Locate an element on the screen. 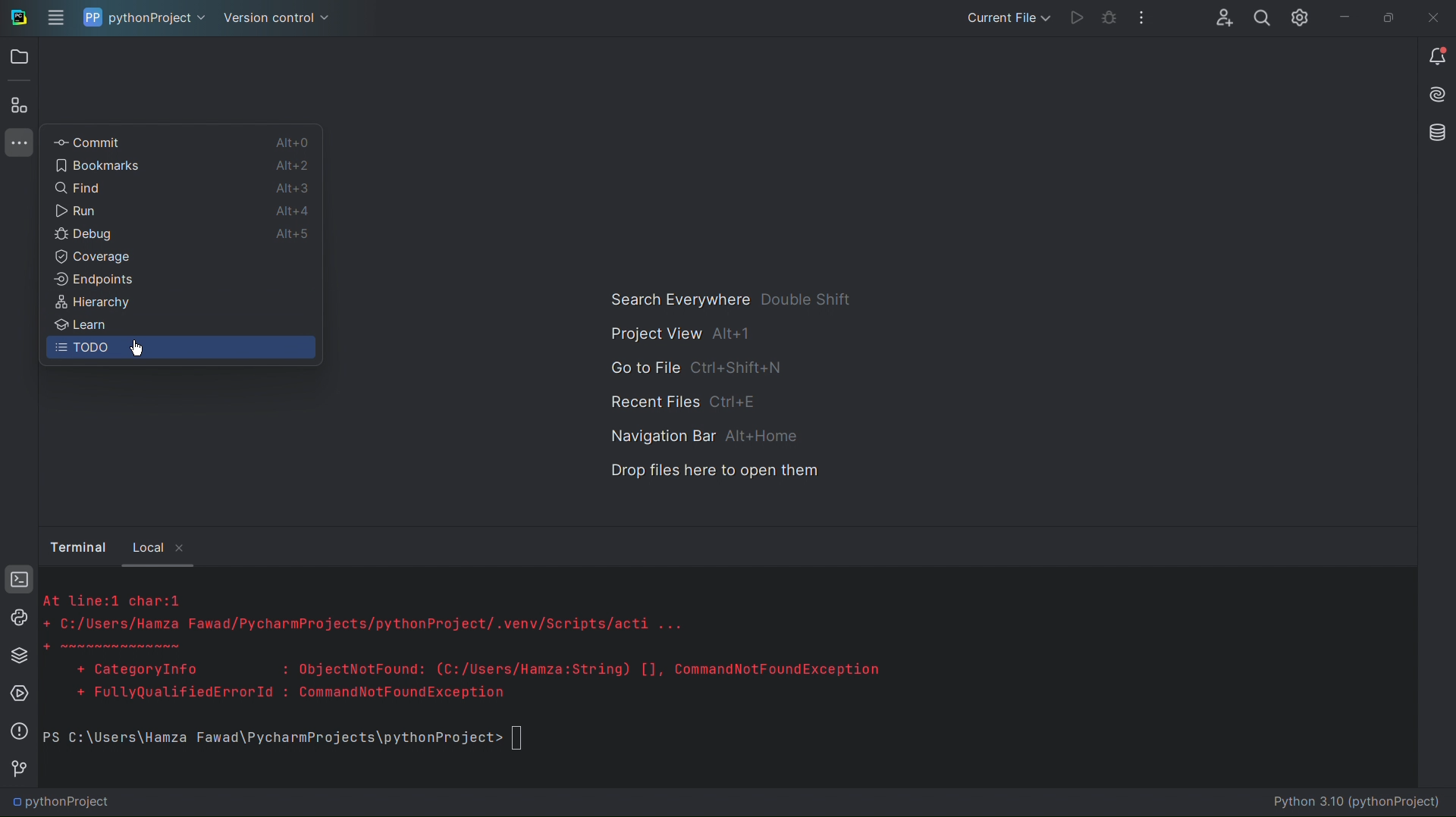  Drop Files Here to Open Them is located at coordinates (708, 475).